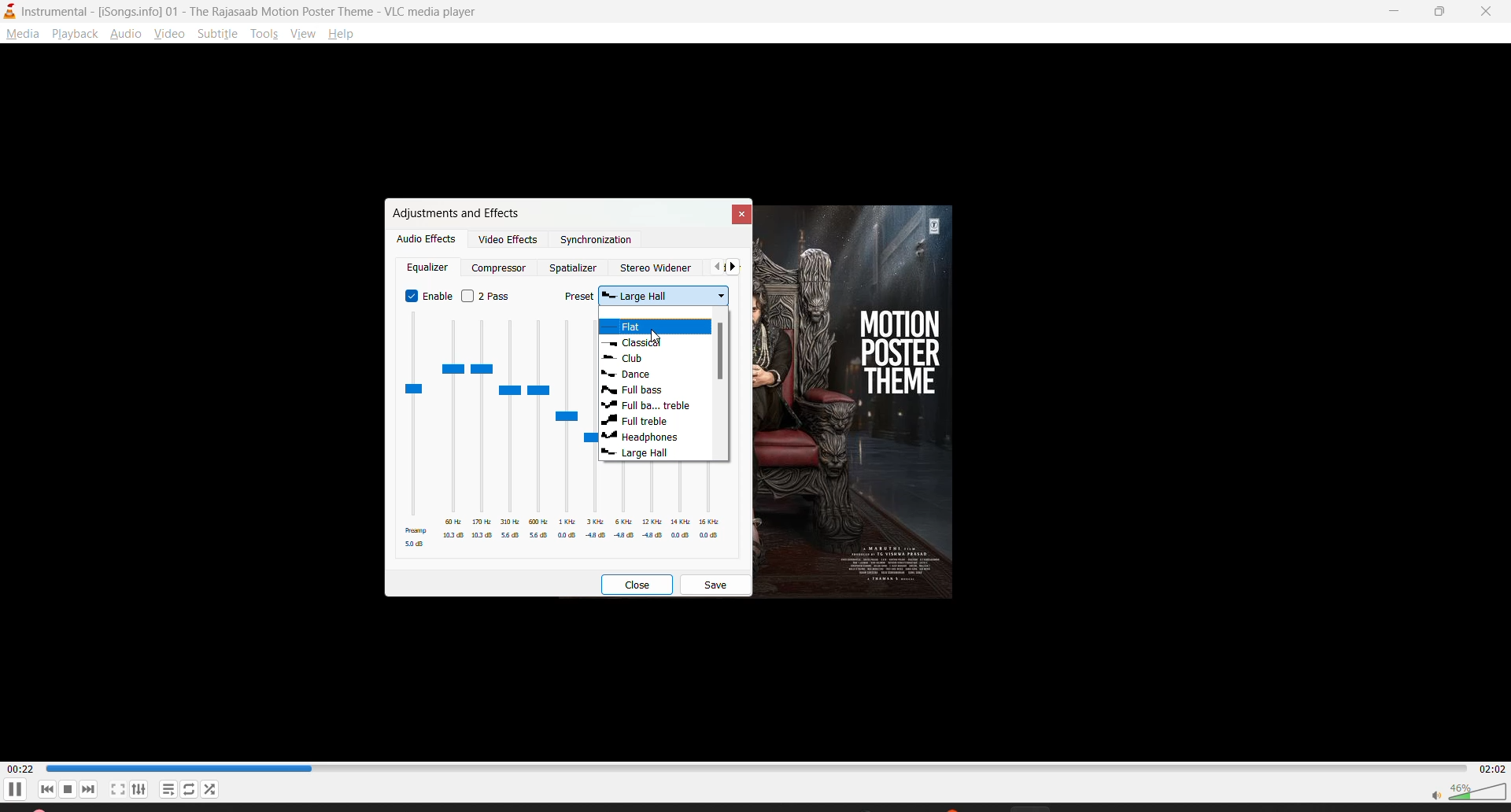  Describe the element at coordinates (245, 11) in the screenshot. I see `Instrumental - [Songsinfo]01 - The Rajasaab Motion Poster Theme - VLC media player` at that location.